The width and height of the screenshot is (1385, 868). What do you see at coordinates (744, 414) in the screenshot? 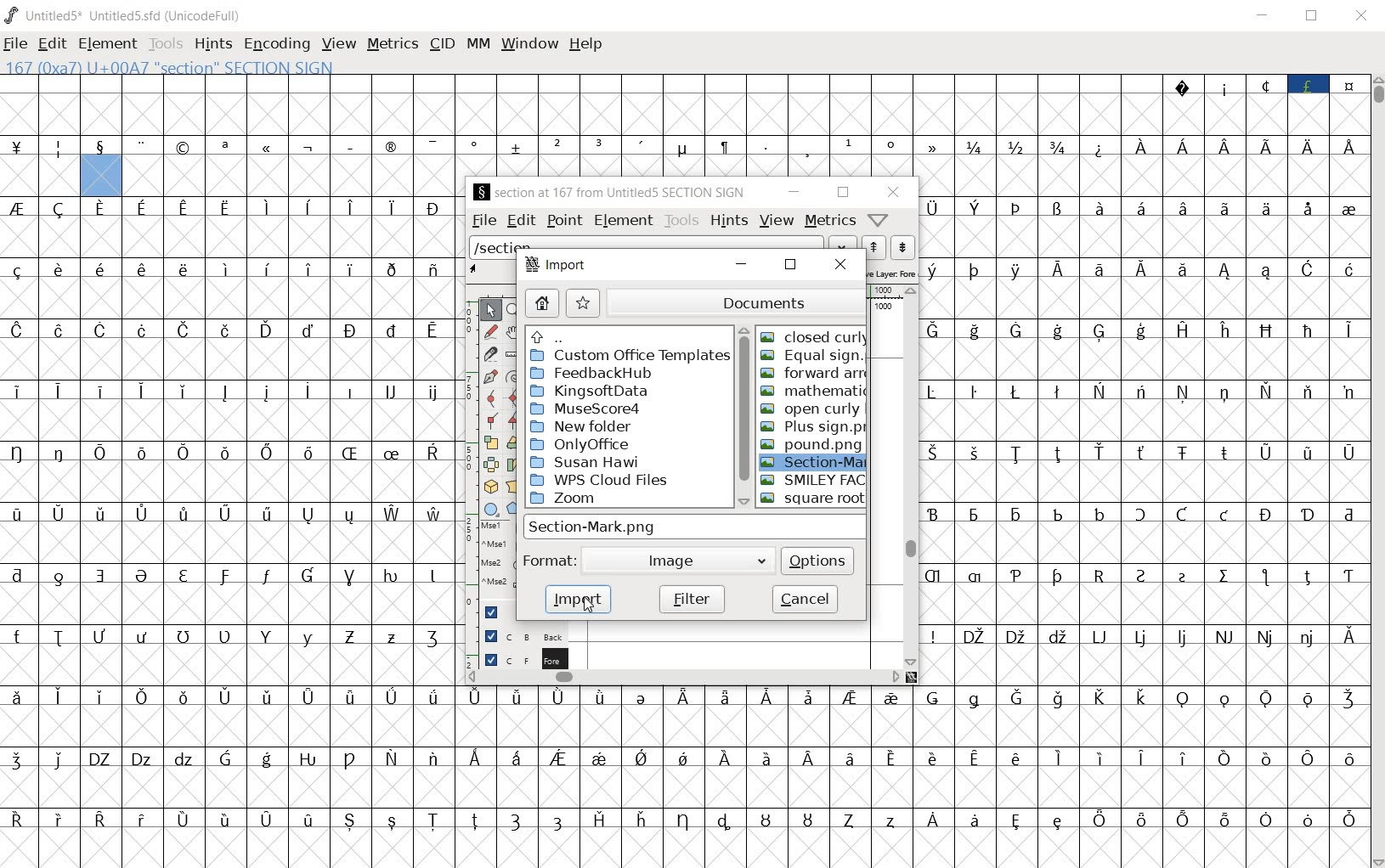
I see `scrollbar` at bounding box center [744, 414].